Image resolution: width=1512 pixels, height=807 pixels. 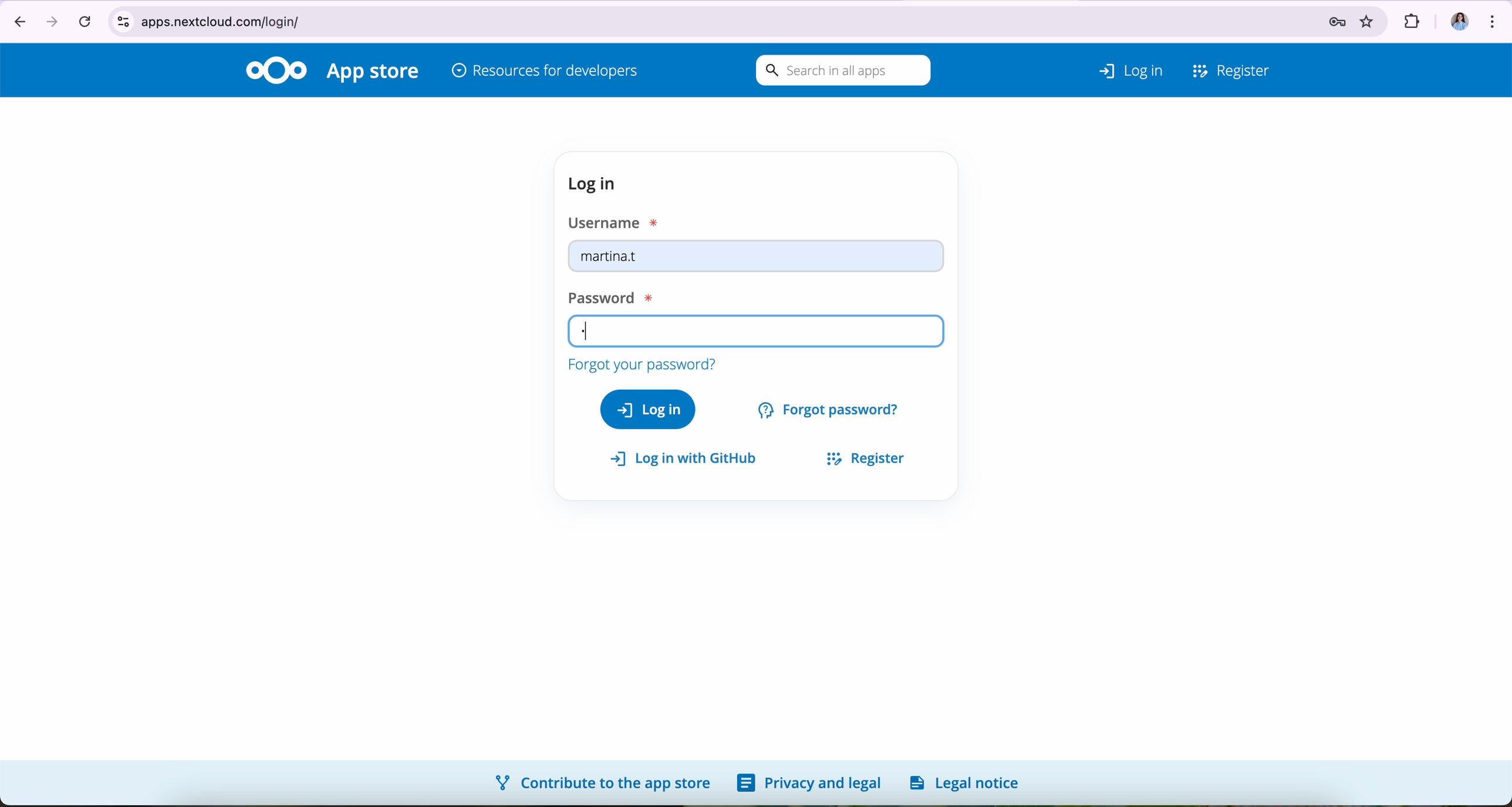 What do you see at coordinates (640, 363) in the screenshot?
I see `forgot your password` at bounding box center [640, 363].